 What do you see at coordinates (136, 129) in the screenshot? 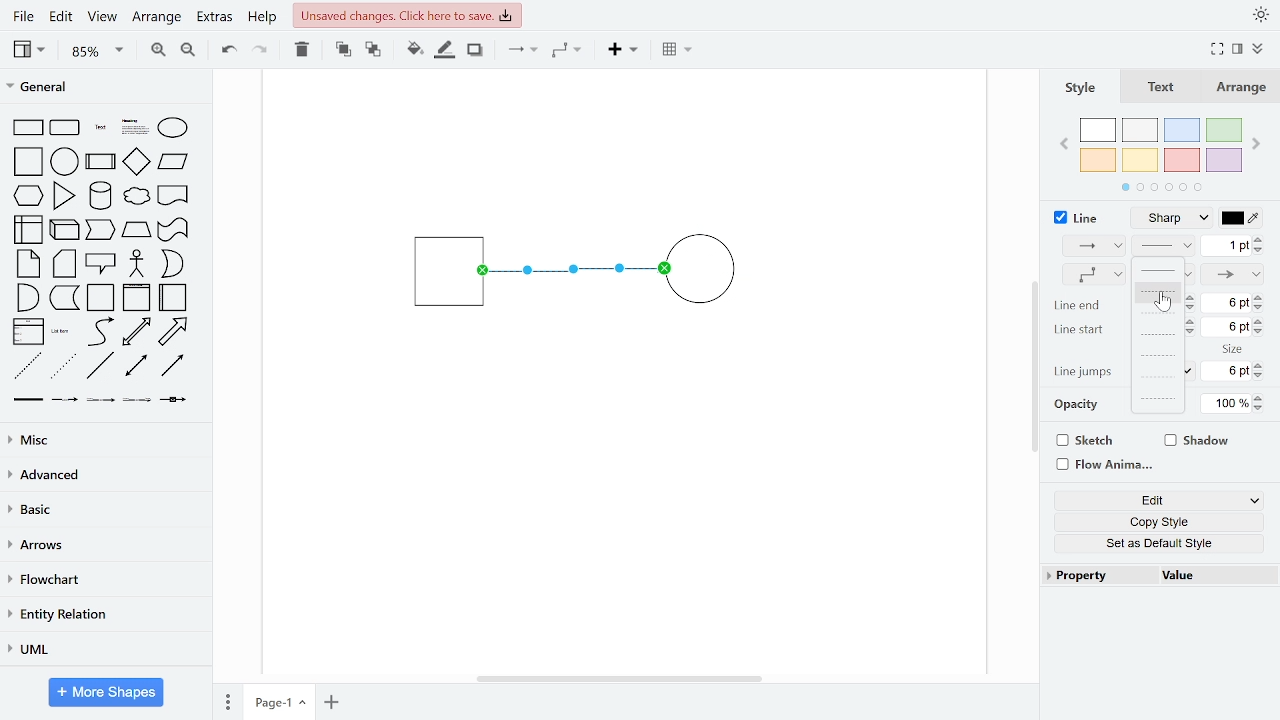
I see `text box` at bounding box center [136, 129].